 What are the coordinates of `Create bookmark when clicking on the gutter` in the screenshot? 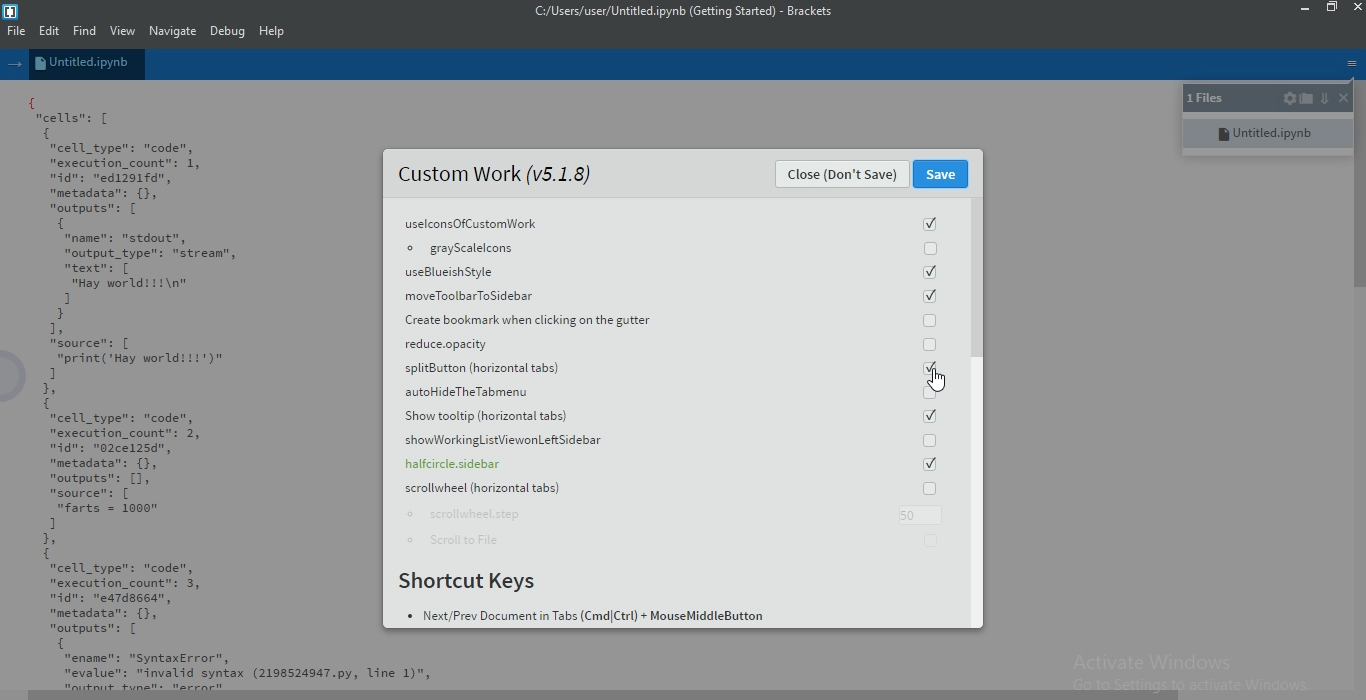 It's located at (682, 318).